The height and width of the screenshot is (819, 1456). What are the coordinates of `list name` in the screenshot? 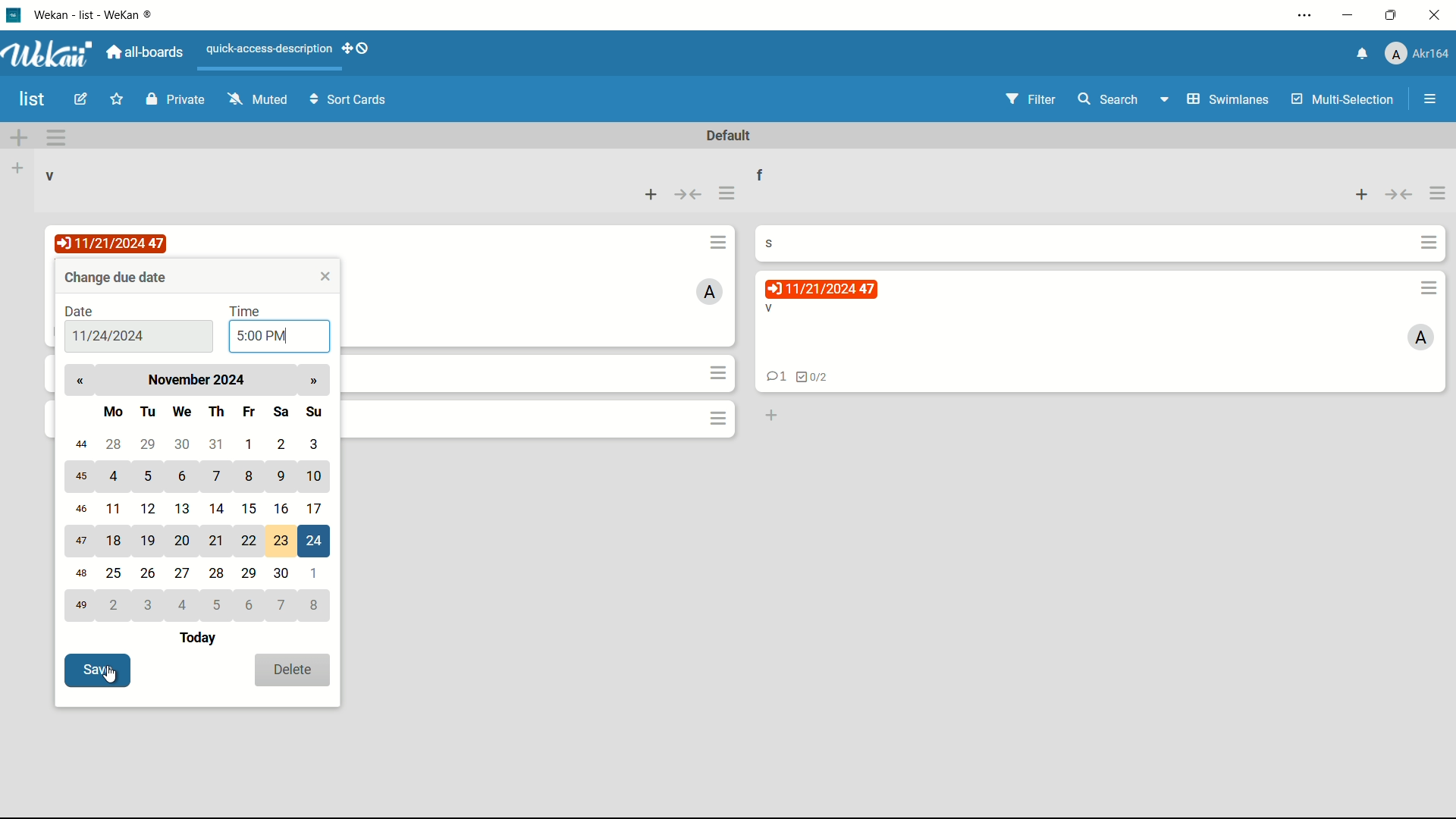 It's located at (770, 173).